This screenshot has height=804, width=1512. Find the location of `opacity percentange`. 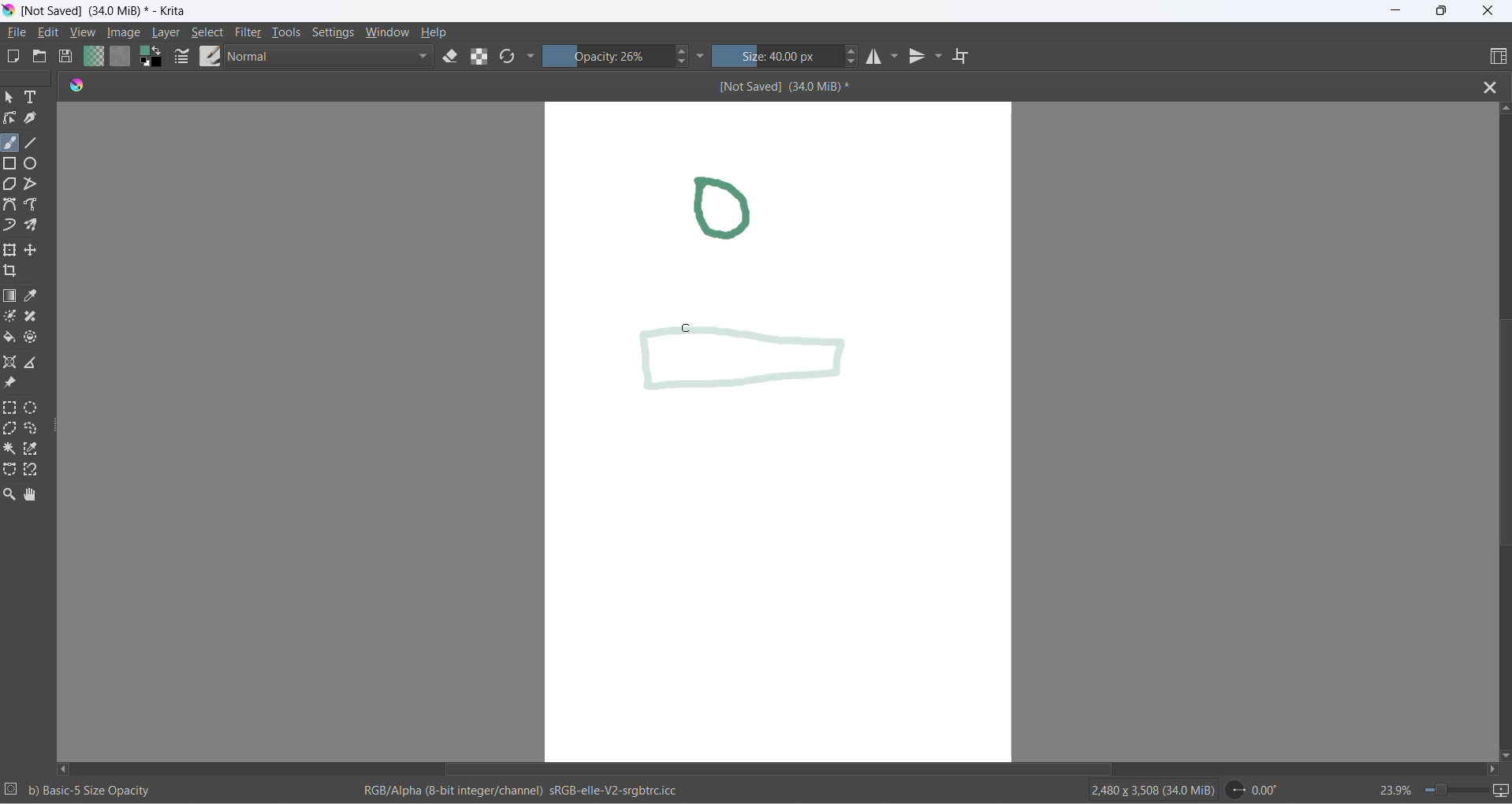

opacity percentange is located at coordinates (609, 58).